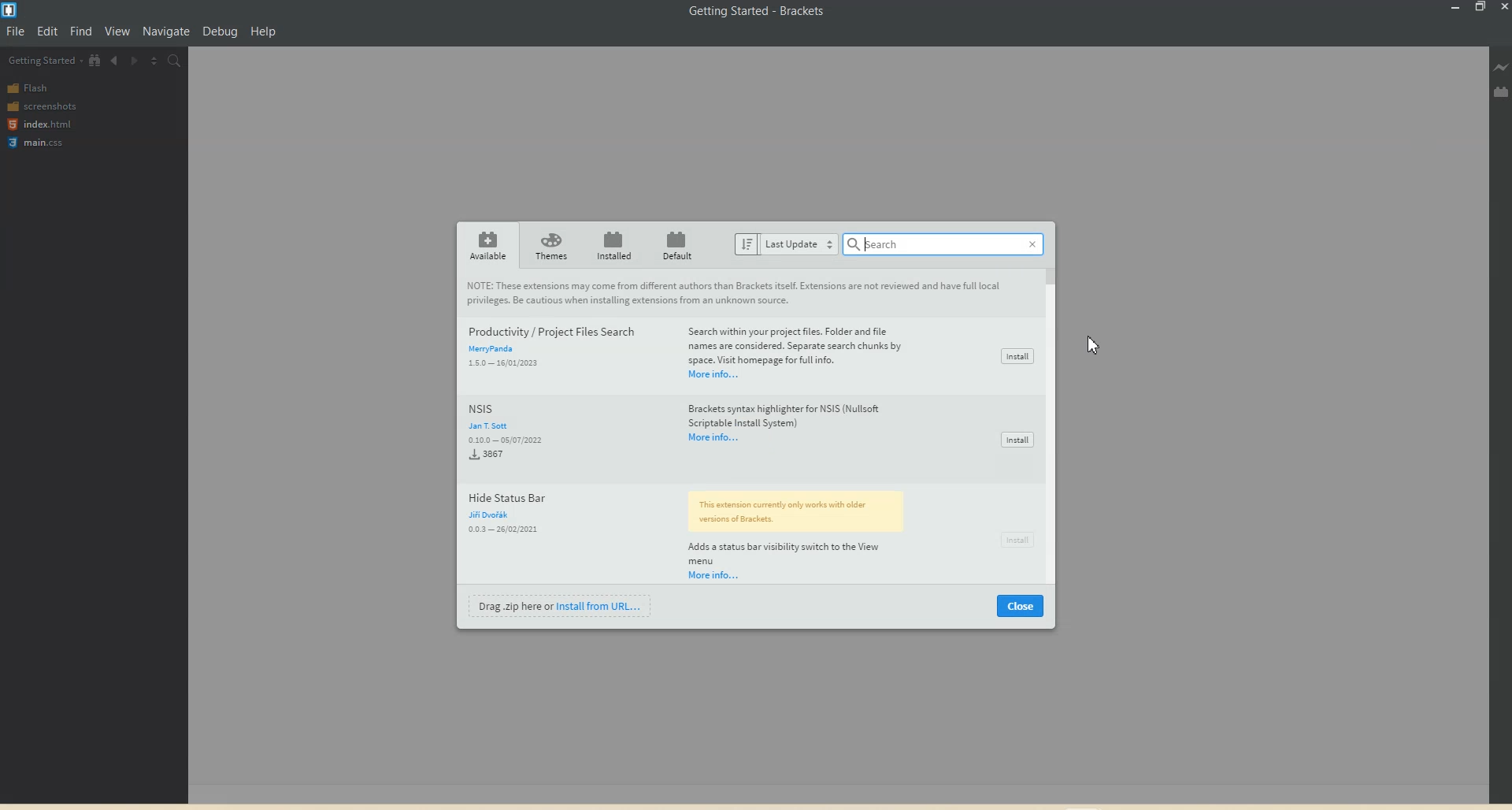 This screenshot has width=1512, height=810. I want to click on Find in files, so click(175, 61).